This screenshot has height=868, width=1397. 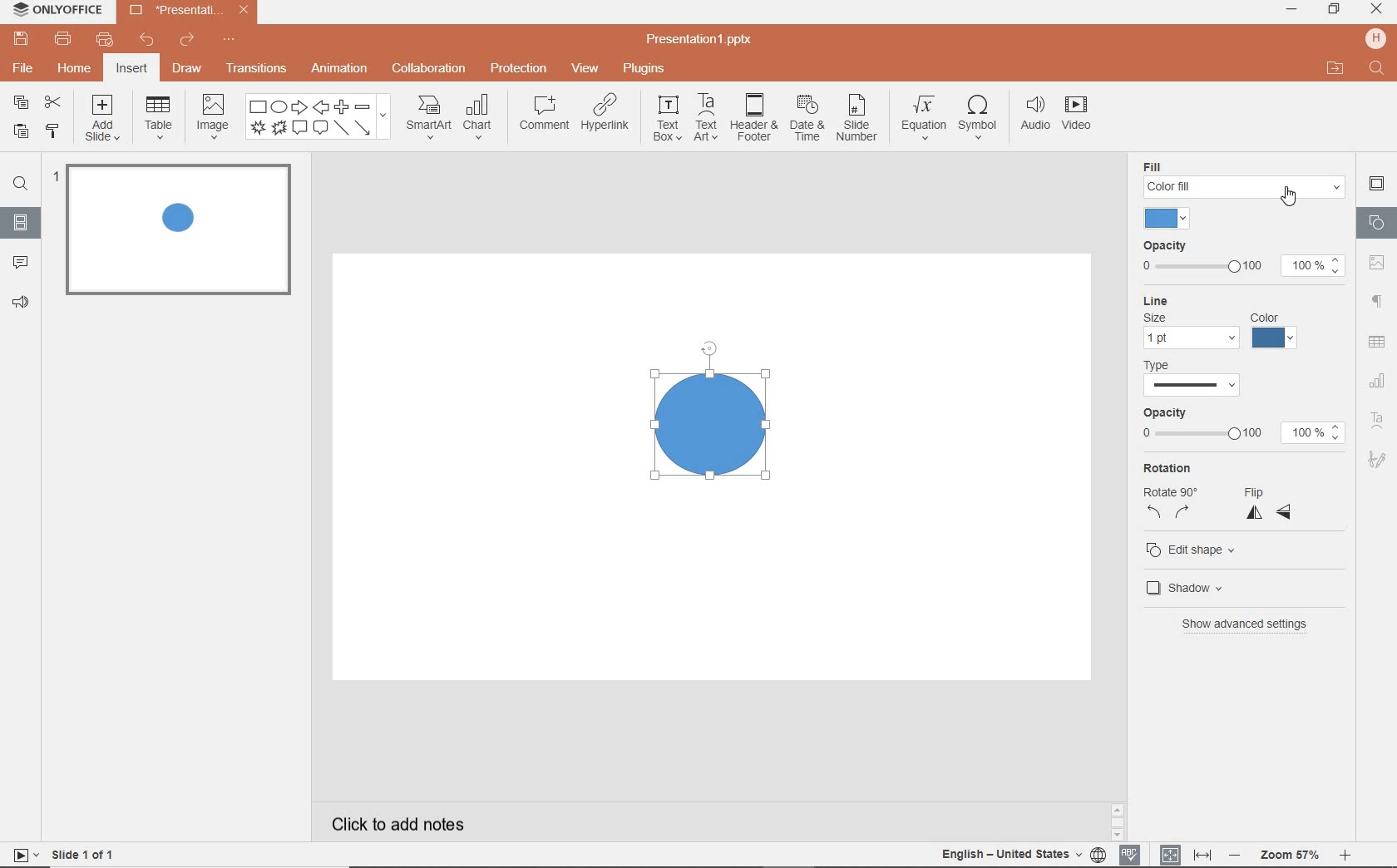 What do you see at coordinates (64, 38) in the screenshot?
I see `print` at bounding box center [64, 38].